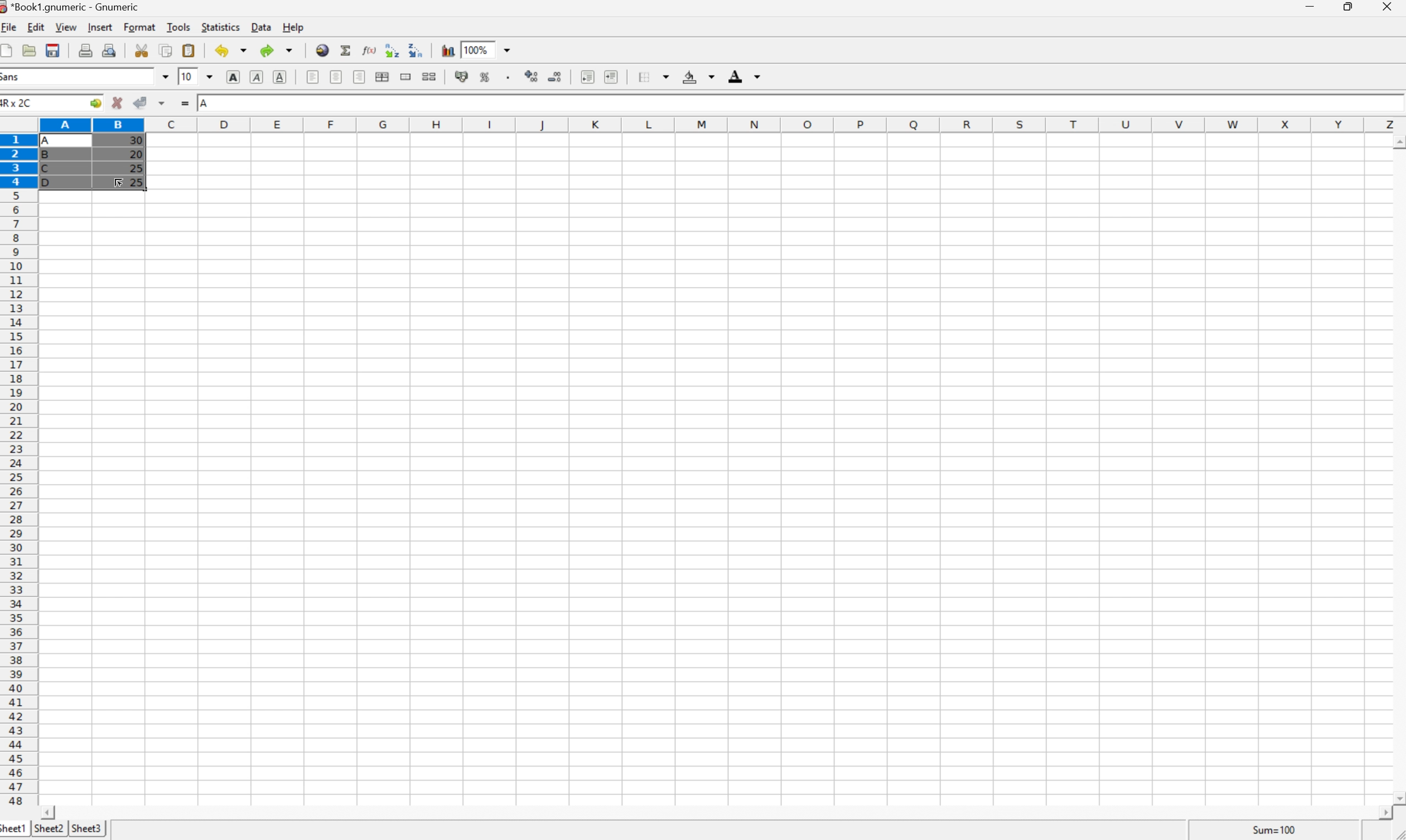  Describe the element at coordinates (117, 102) in the screenshot. I see `Cancel changes` at that location.